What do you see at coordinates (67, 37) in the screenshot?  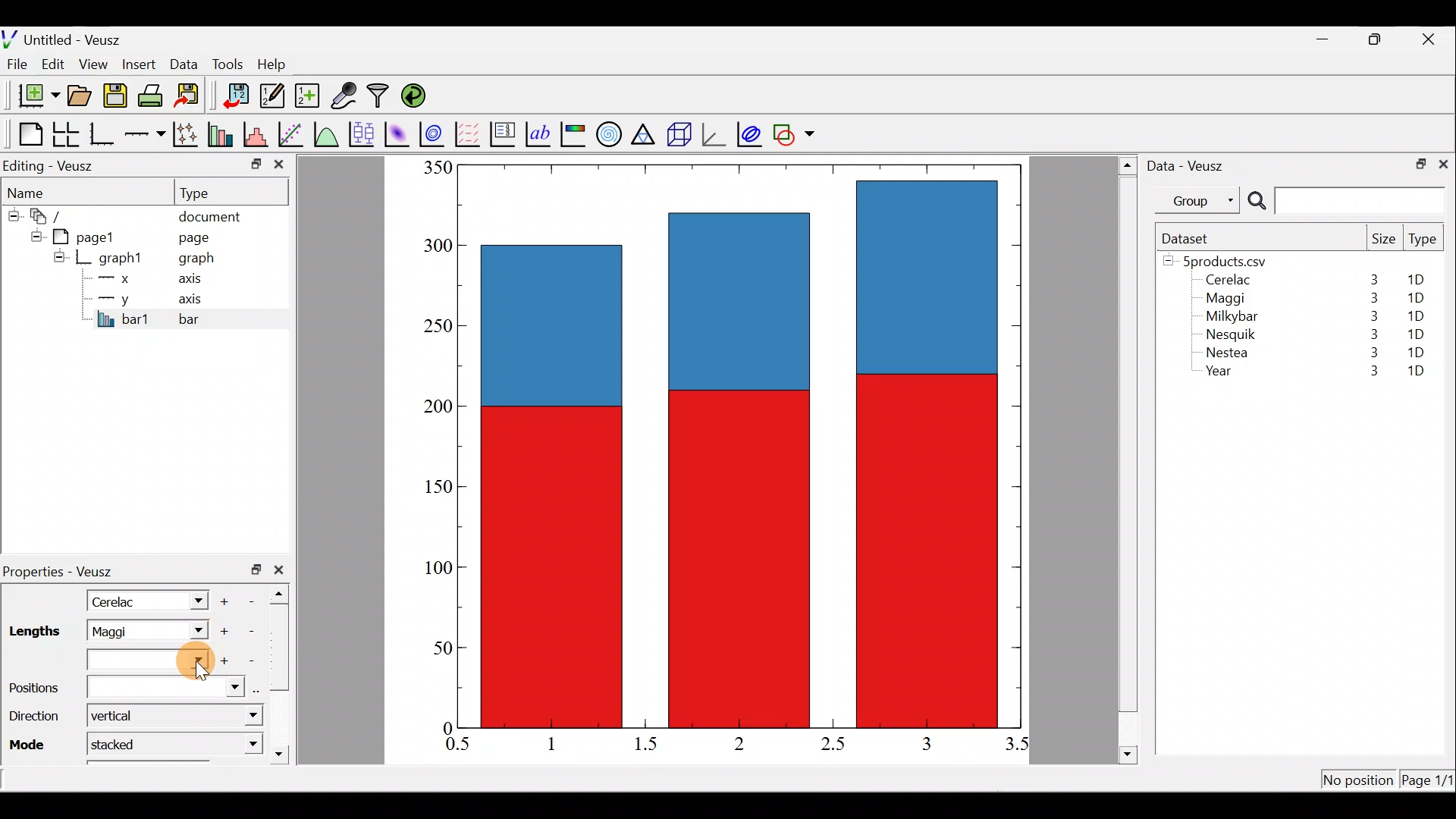 I see `Untitled - Veusz` at bounding box center [67, 37].